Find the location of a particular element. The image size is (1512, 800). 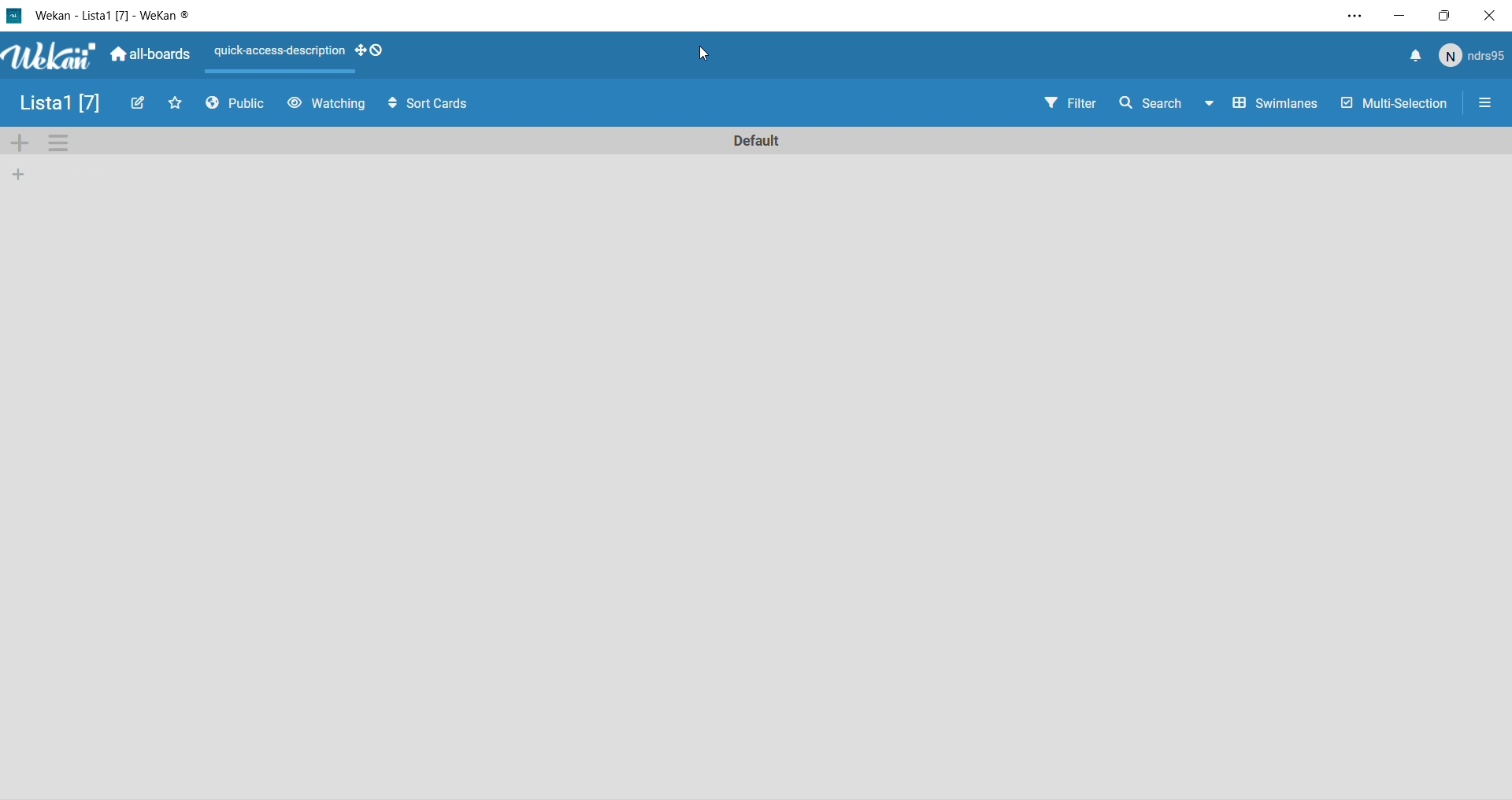

Close is located at coordinates (1492, 15).